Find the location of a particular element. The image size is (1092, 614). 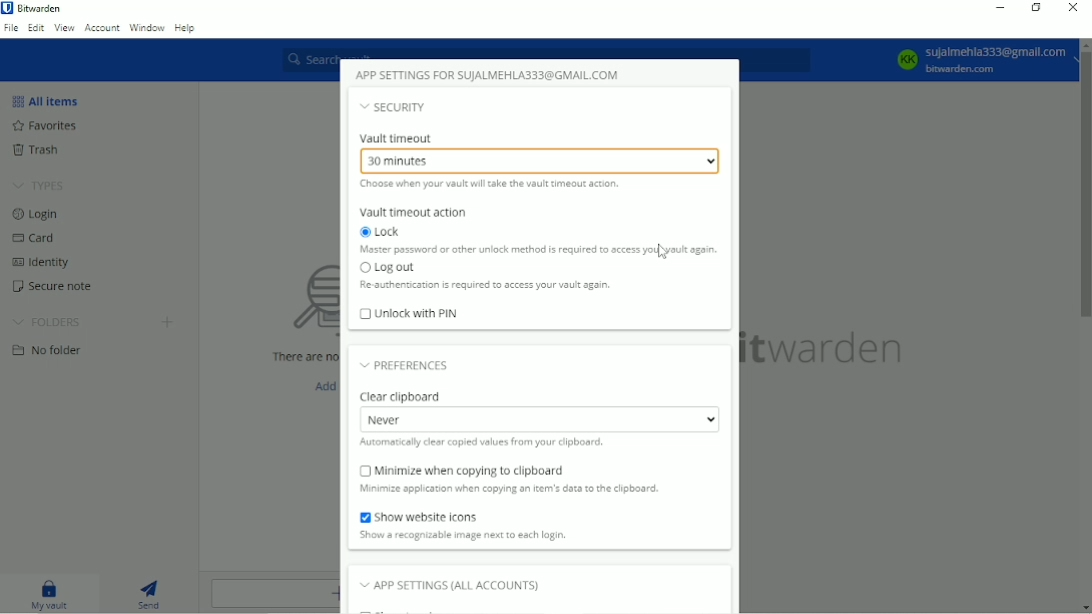

Types is located at coordinates (40, 185).